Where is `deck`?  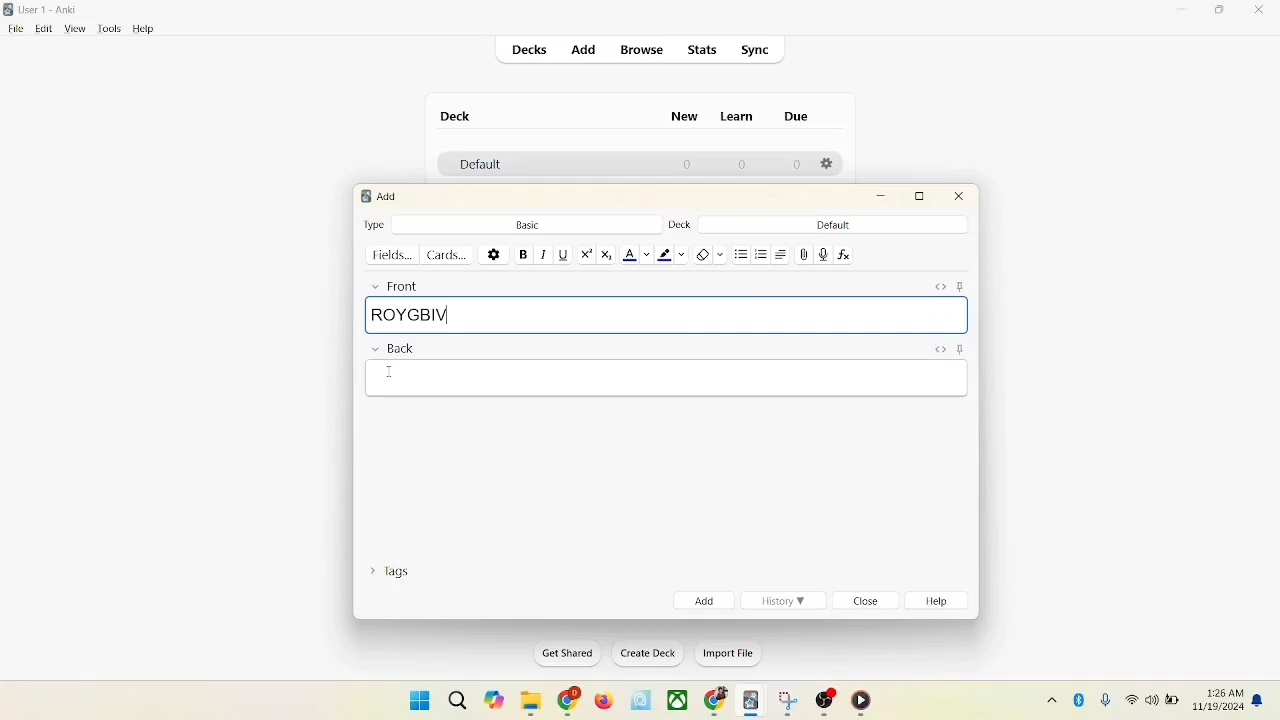
deck is located at coordinates (456, 116).